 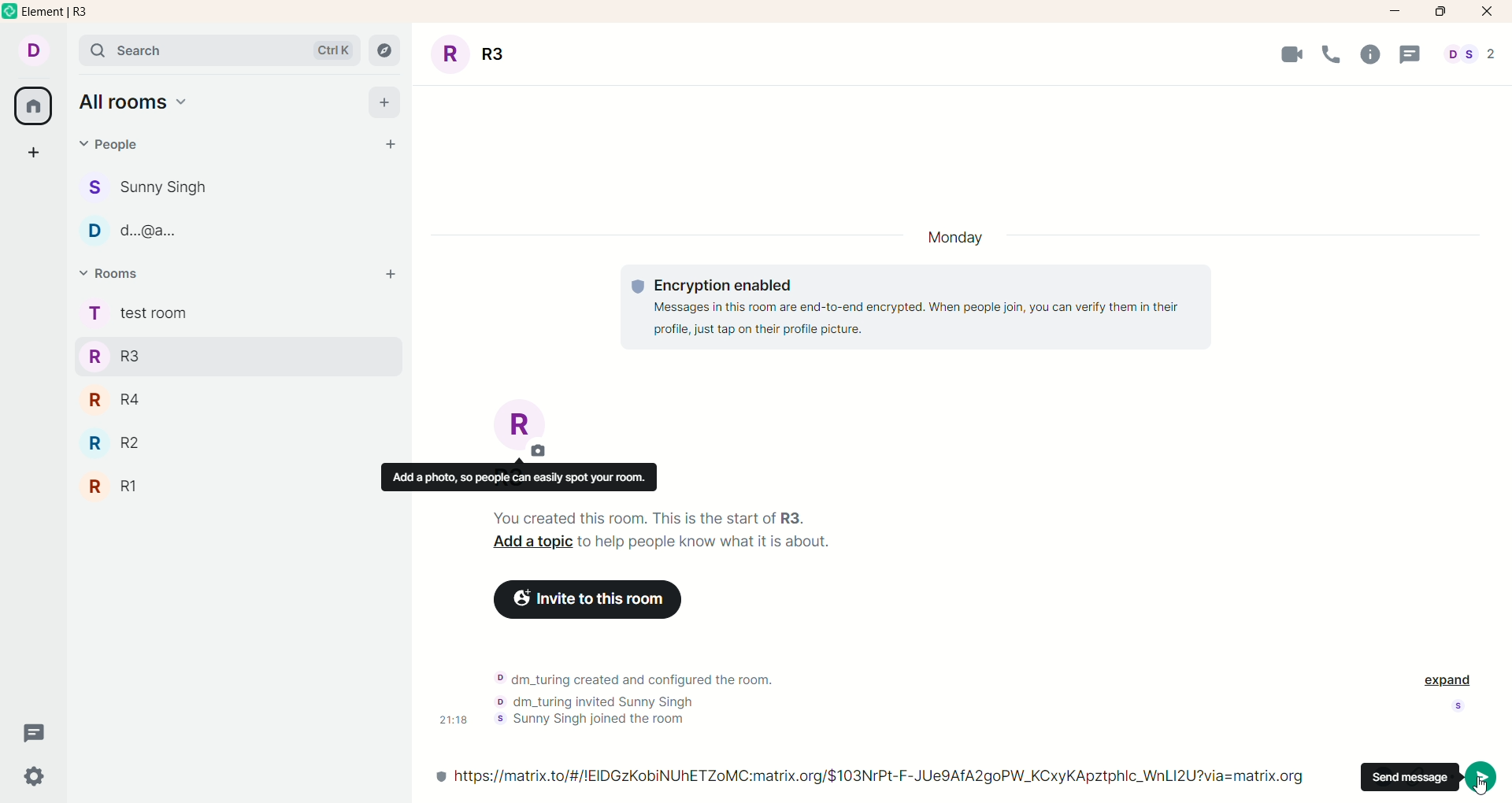 What do you see at coordinates (35, 52) in the screenshot?
I see `account` at bounding box center [35, 52].